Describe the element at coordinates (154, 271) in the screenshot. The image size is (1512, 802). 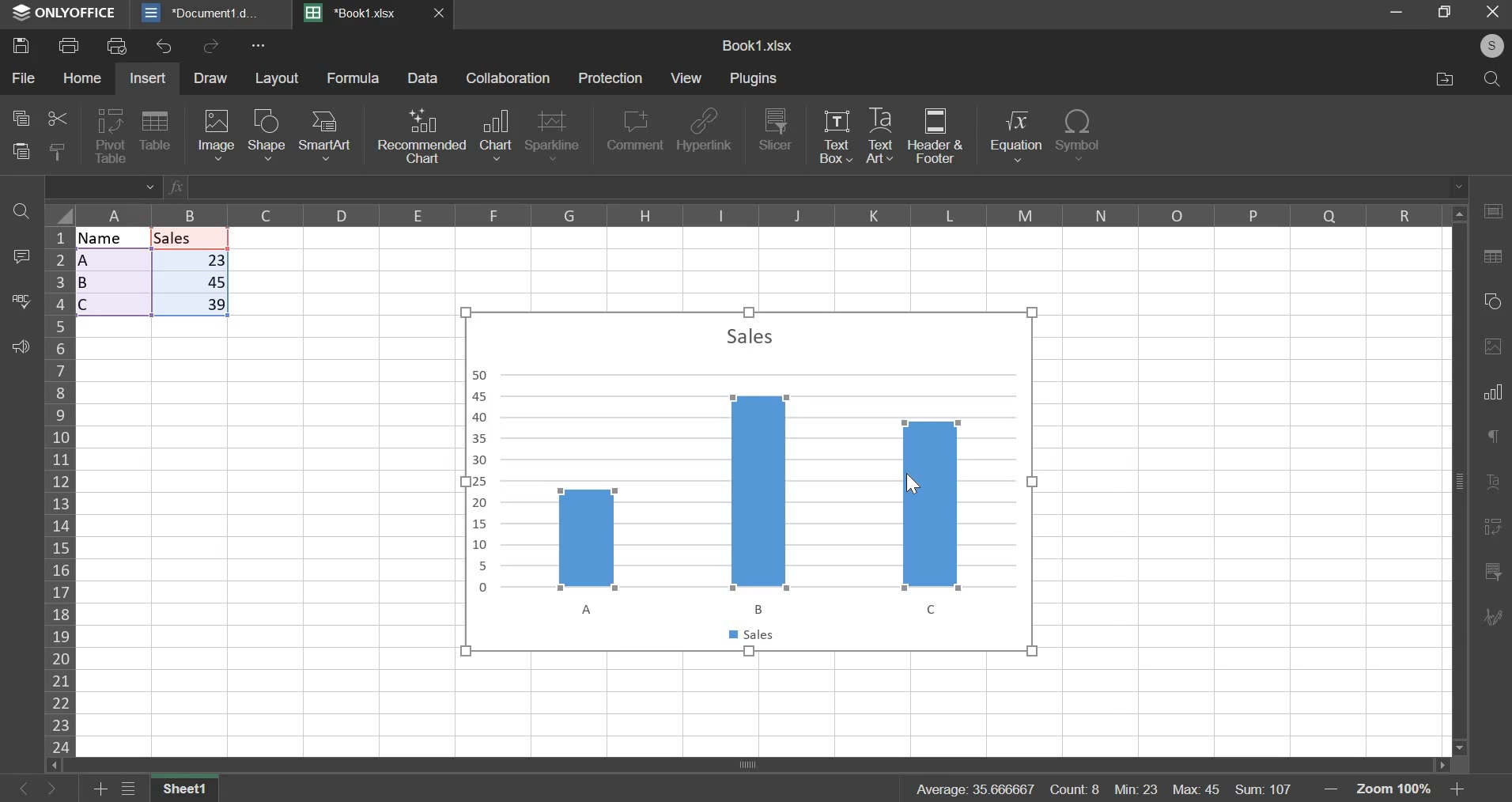
I see `data` at that location.